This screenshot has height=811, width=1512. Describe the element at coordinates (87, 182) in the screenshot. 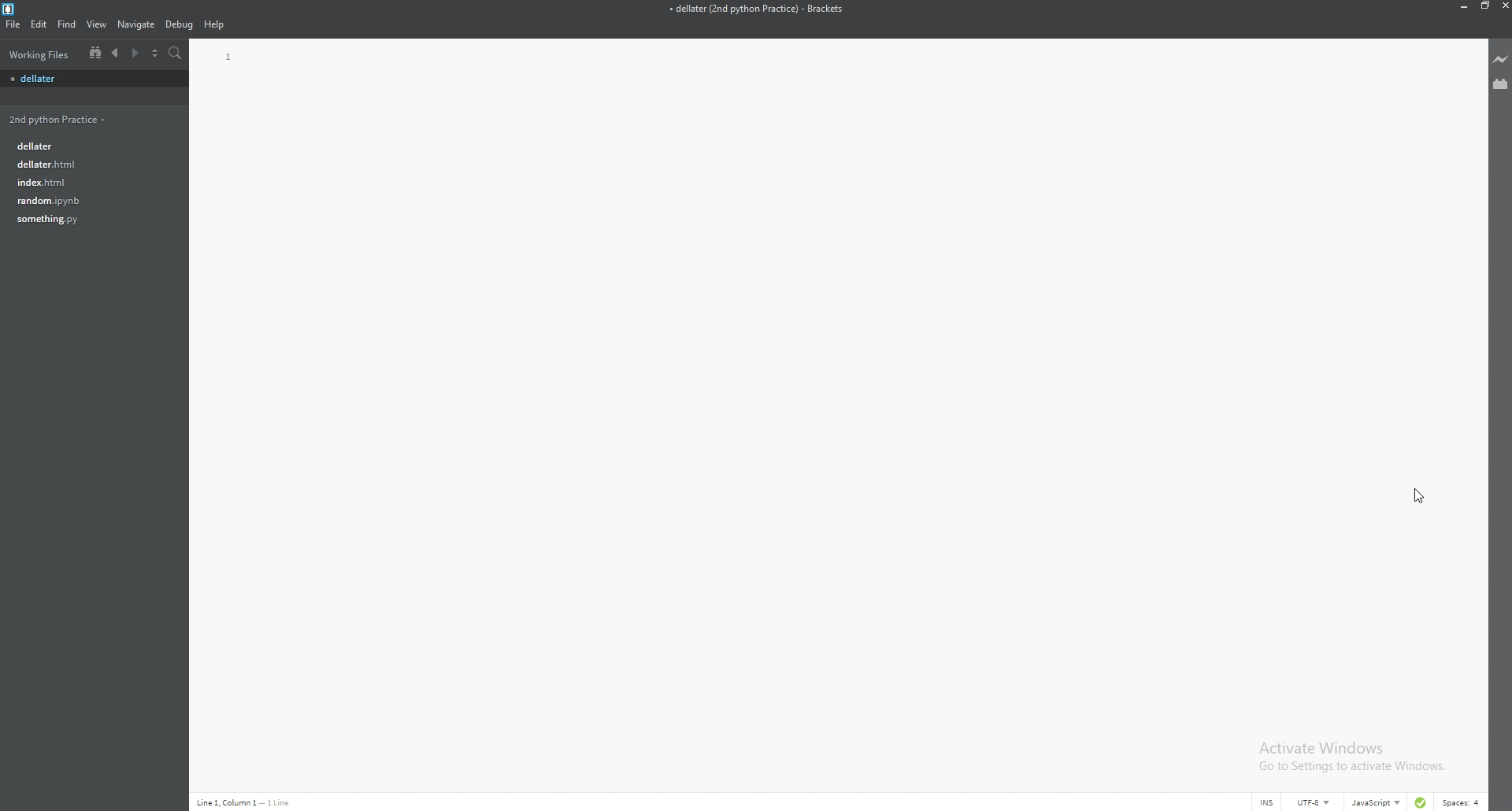

I see `file` at that location.